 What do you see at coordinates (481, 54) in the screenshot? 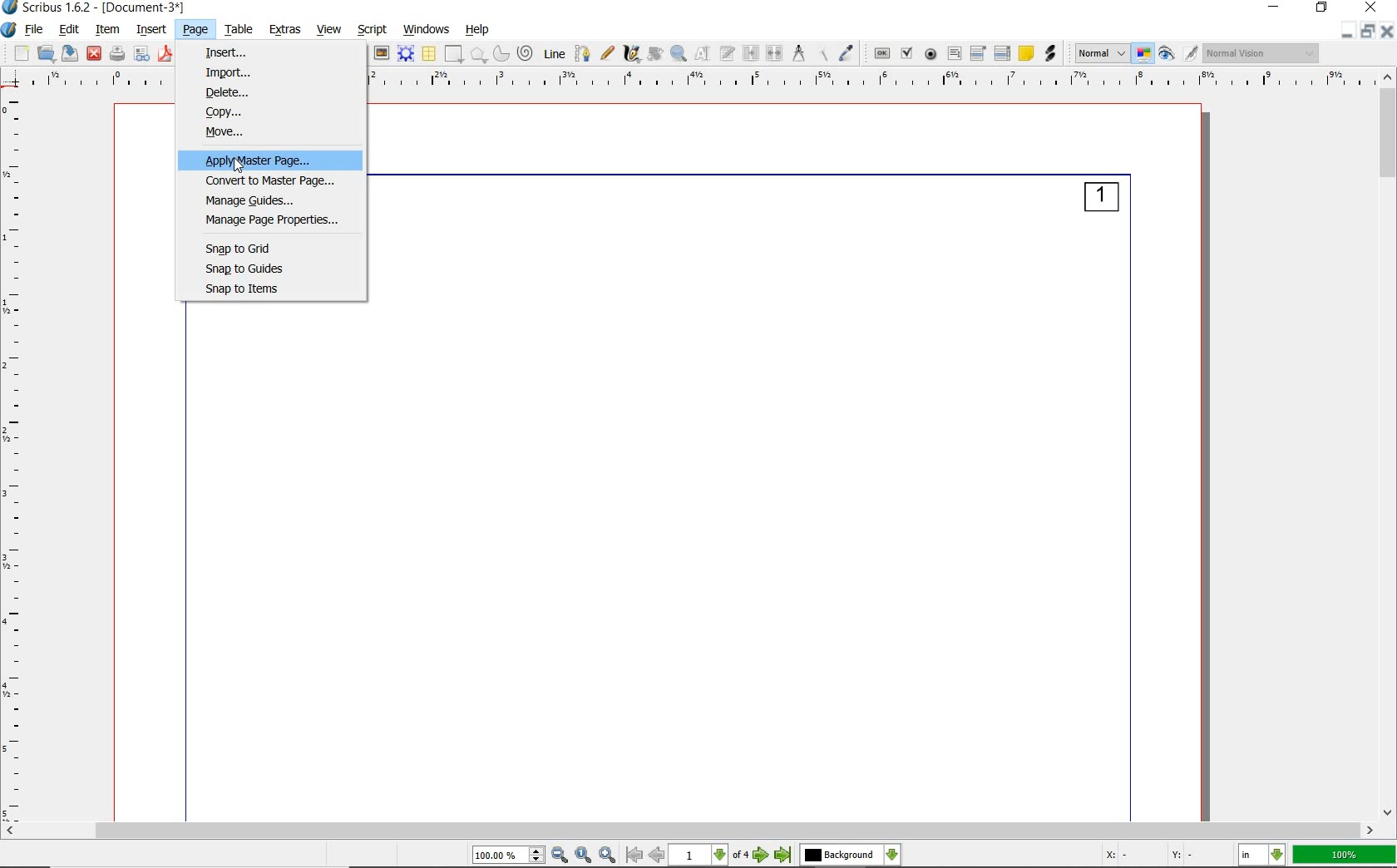
I see `polygon` at bounding box center [481, 54].